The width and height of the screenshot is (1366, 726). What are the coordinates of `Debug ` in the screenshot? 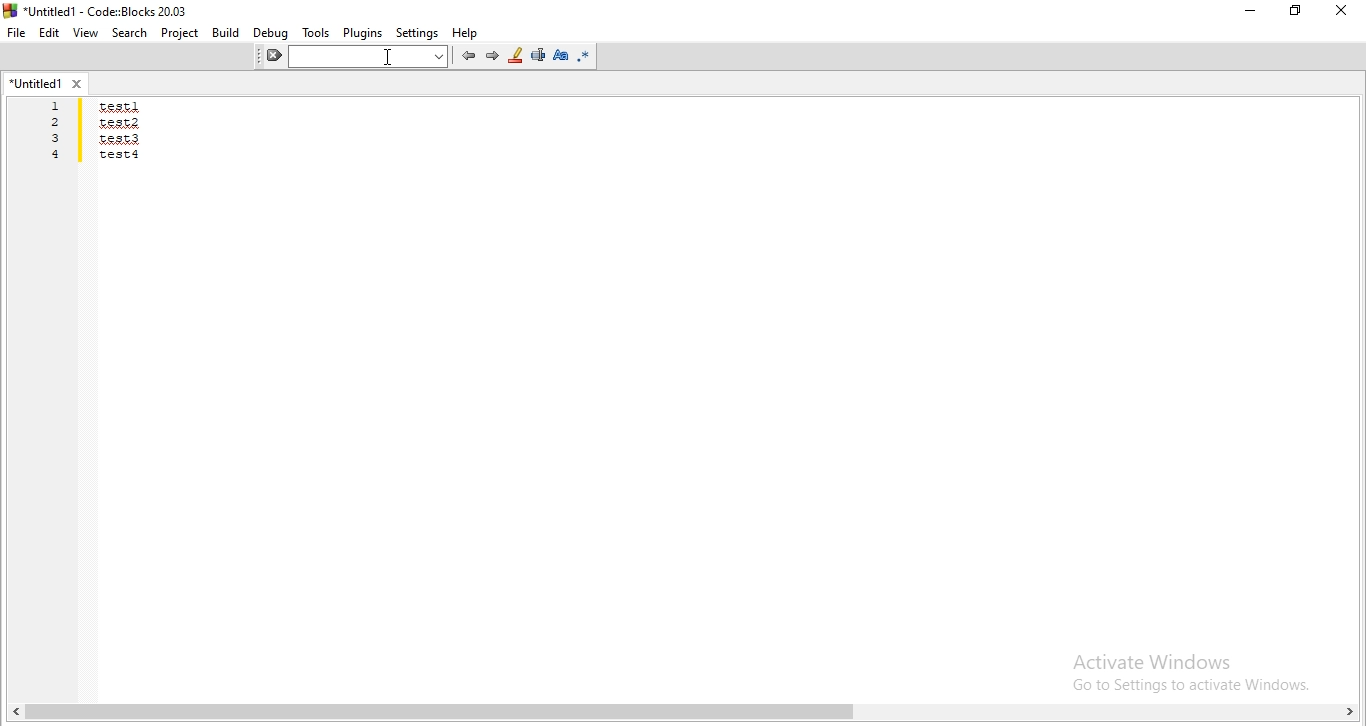 It's located at (268, 33).